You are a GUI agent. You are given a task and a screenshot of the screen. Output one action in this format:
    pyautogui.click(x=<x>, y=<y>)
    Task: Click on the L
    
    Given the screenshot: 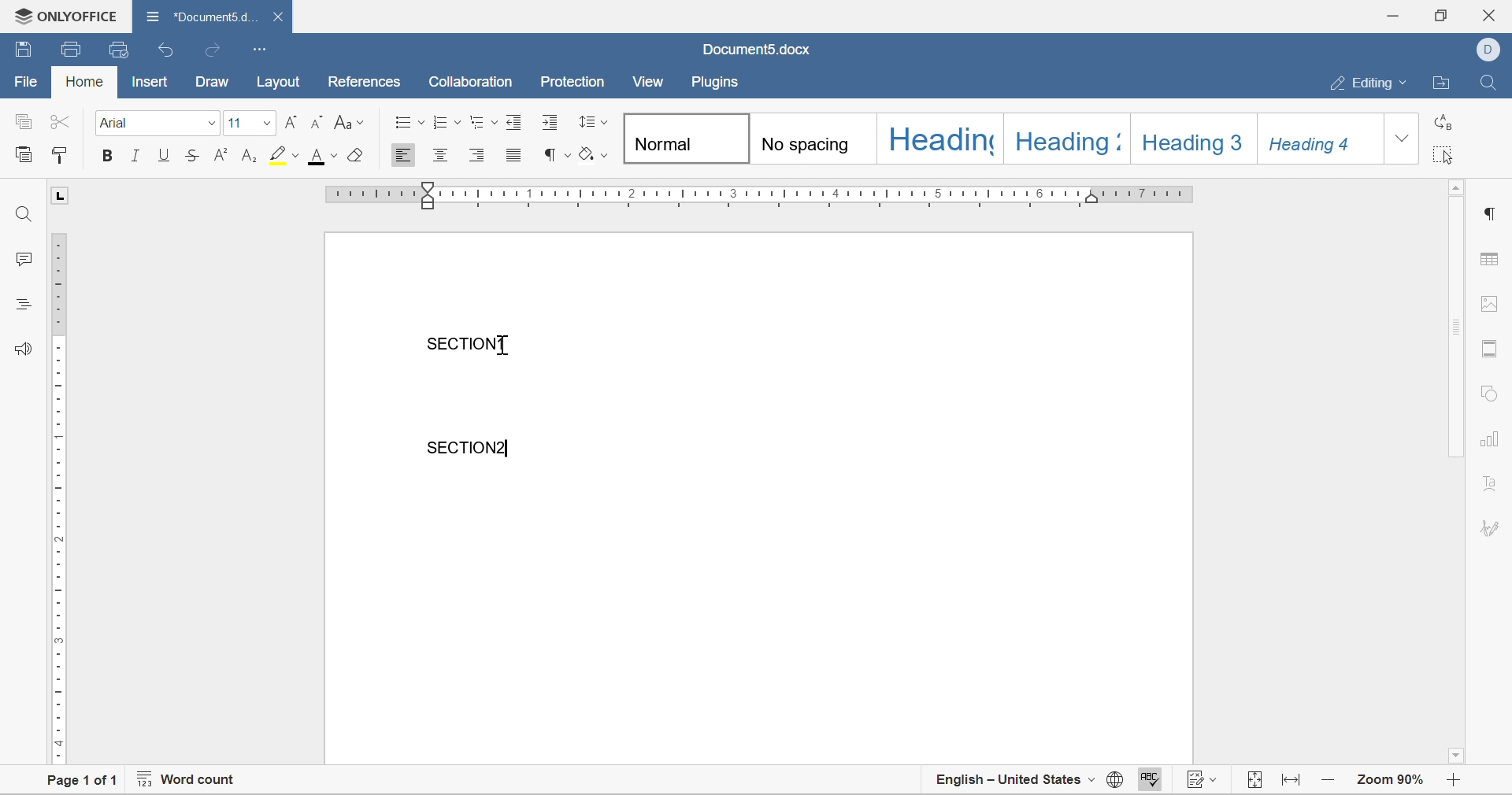 What is the action you would take?
    pyautogui.click(x=61, y=195)
    